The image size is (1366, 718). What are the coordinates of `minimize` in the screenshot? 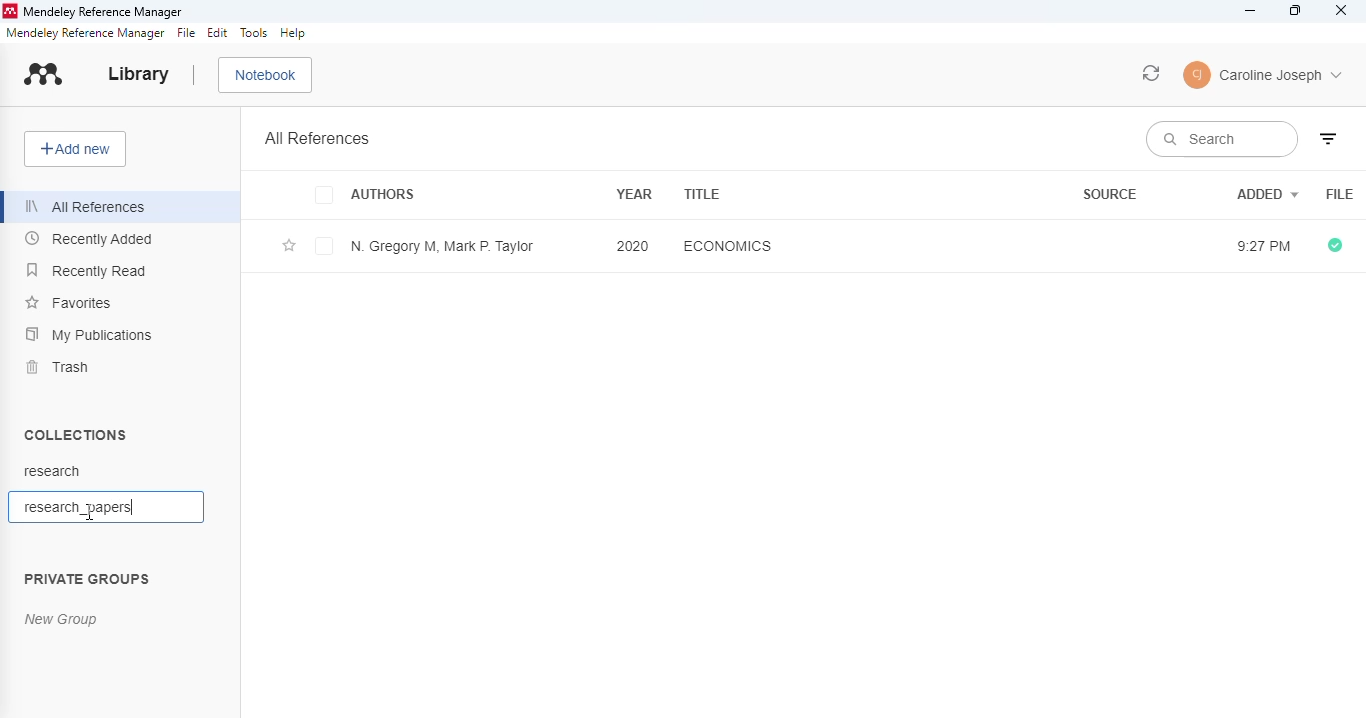 It's located at (1251, 11).